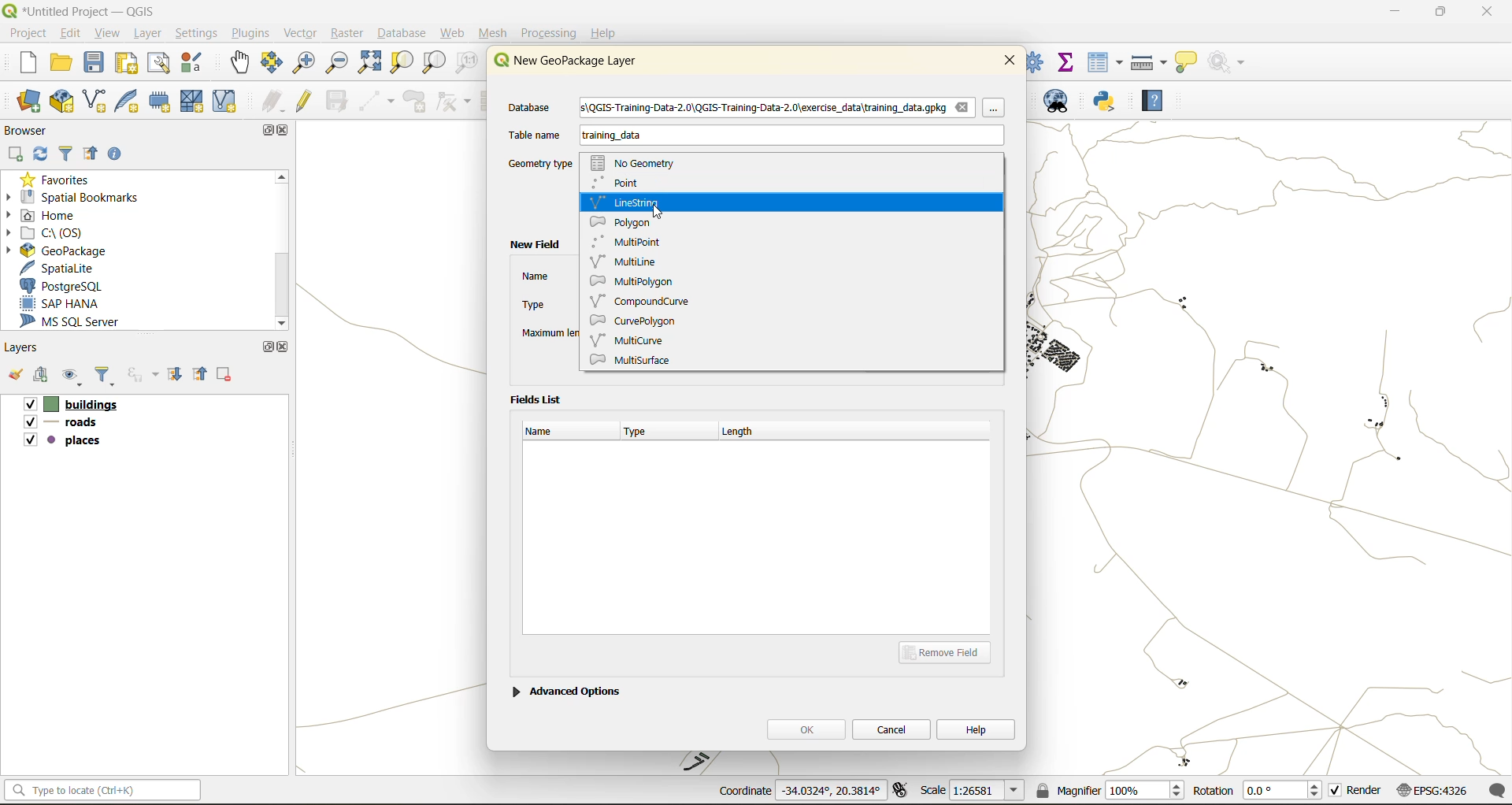 This screenshot has width=1512, height=805. Describe the element at coordinates (42, 155) in the screenshot. I see `refresh` at that location.